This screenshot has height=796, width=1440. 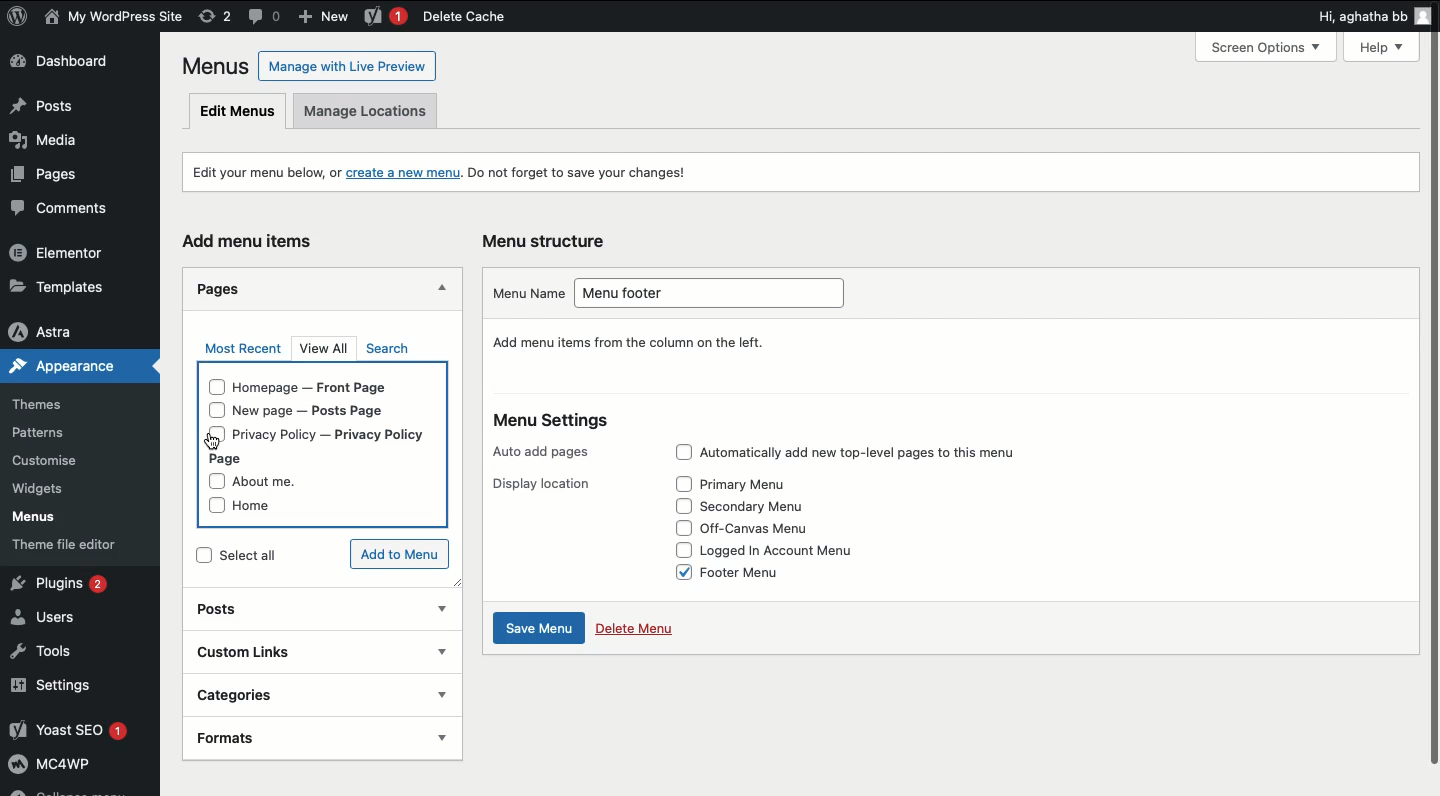 I want to click on  View all, so click(x=327, y=350).